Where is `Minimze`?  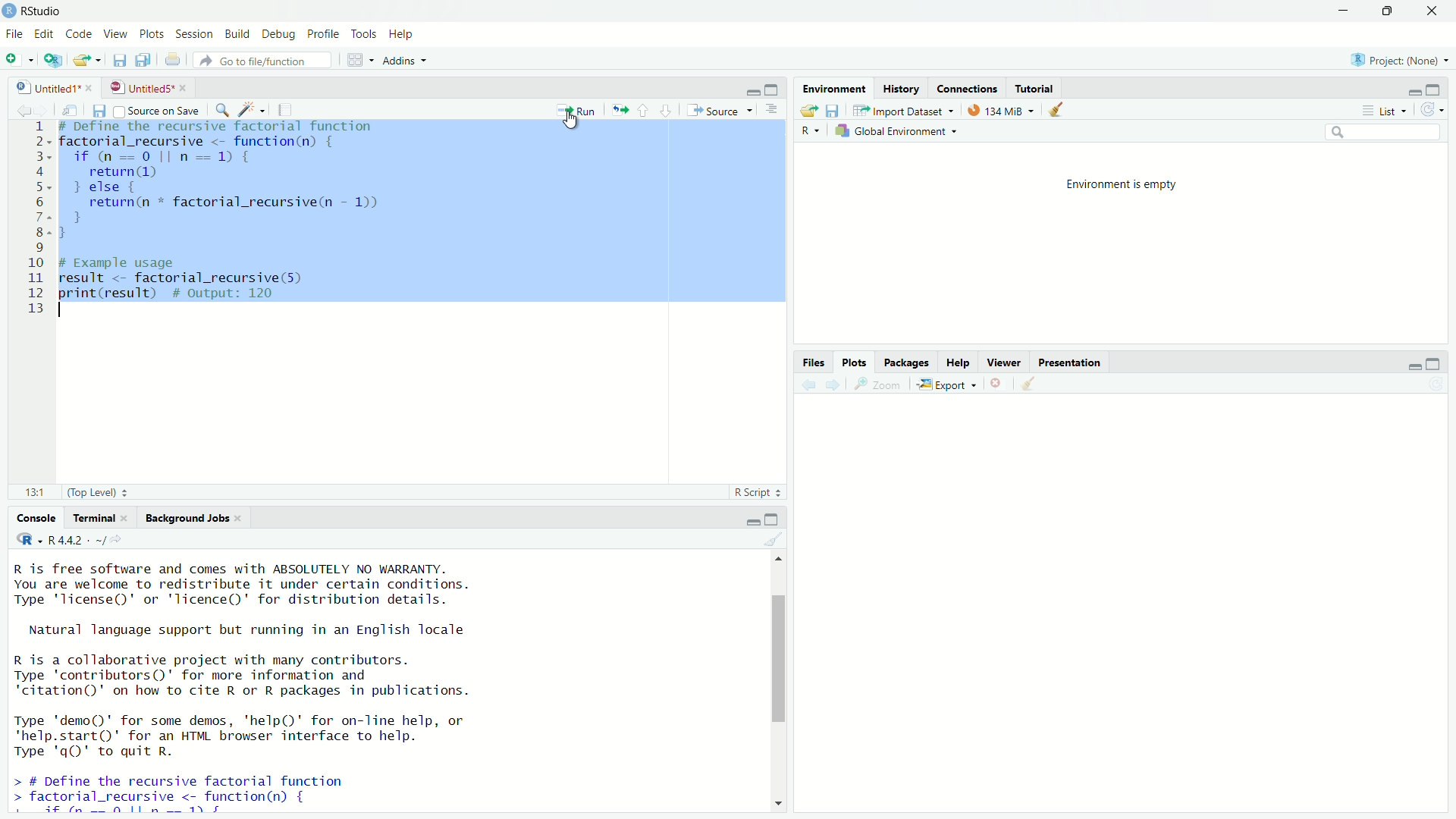
Minimze is located at coordinates (752, 91).